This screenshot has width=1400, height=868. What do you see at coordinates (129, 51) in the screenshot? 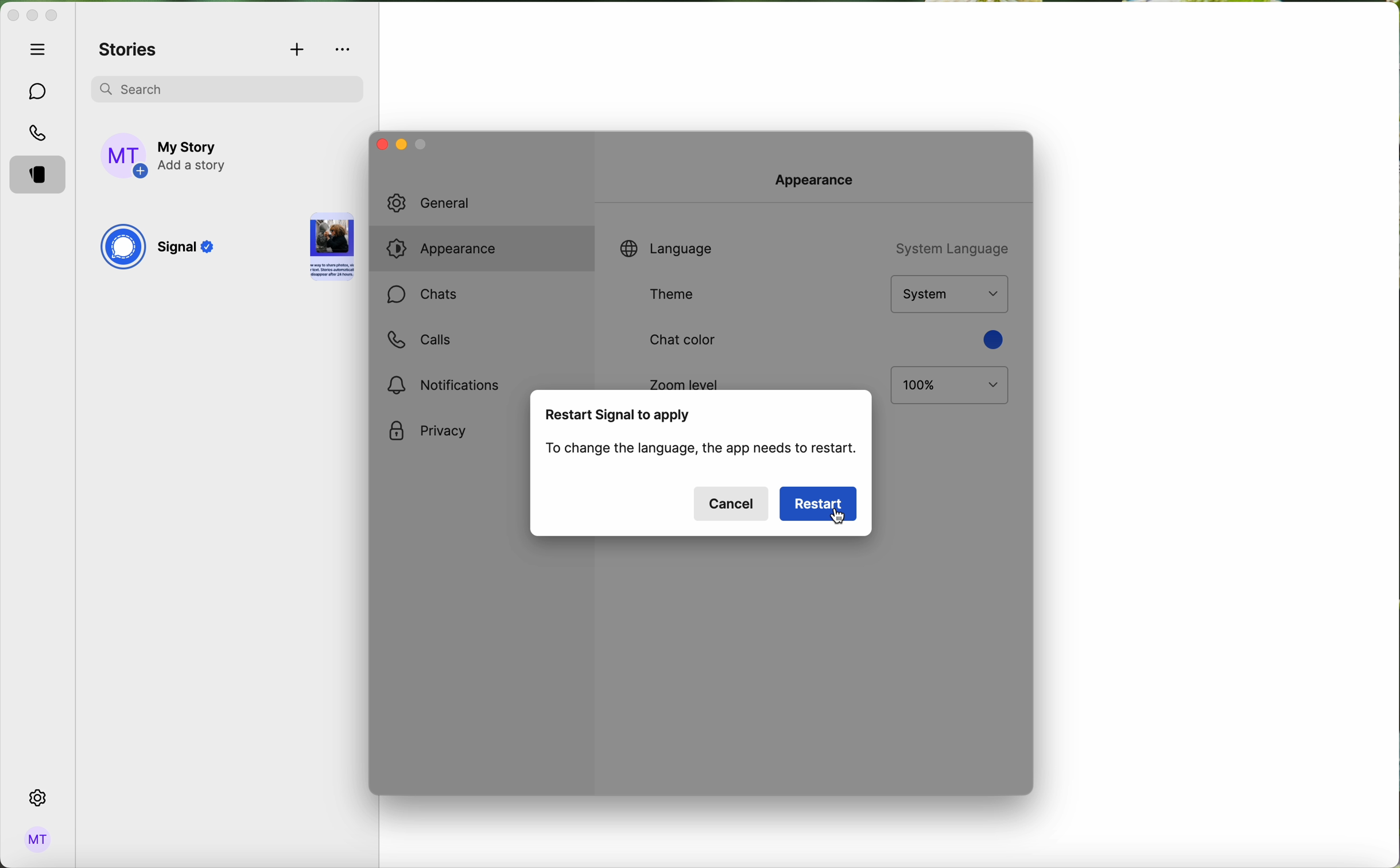
I see `stories` at bounding box center [129, 51].